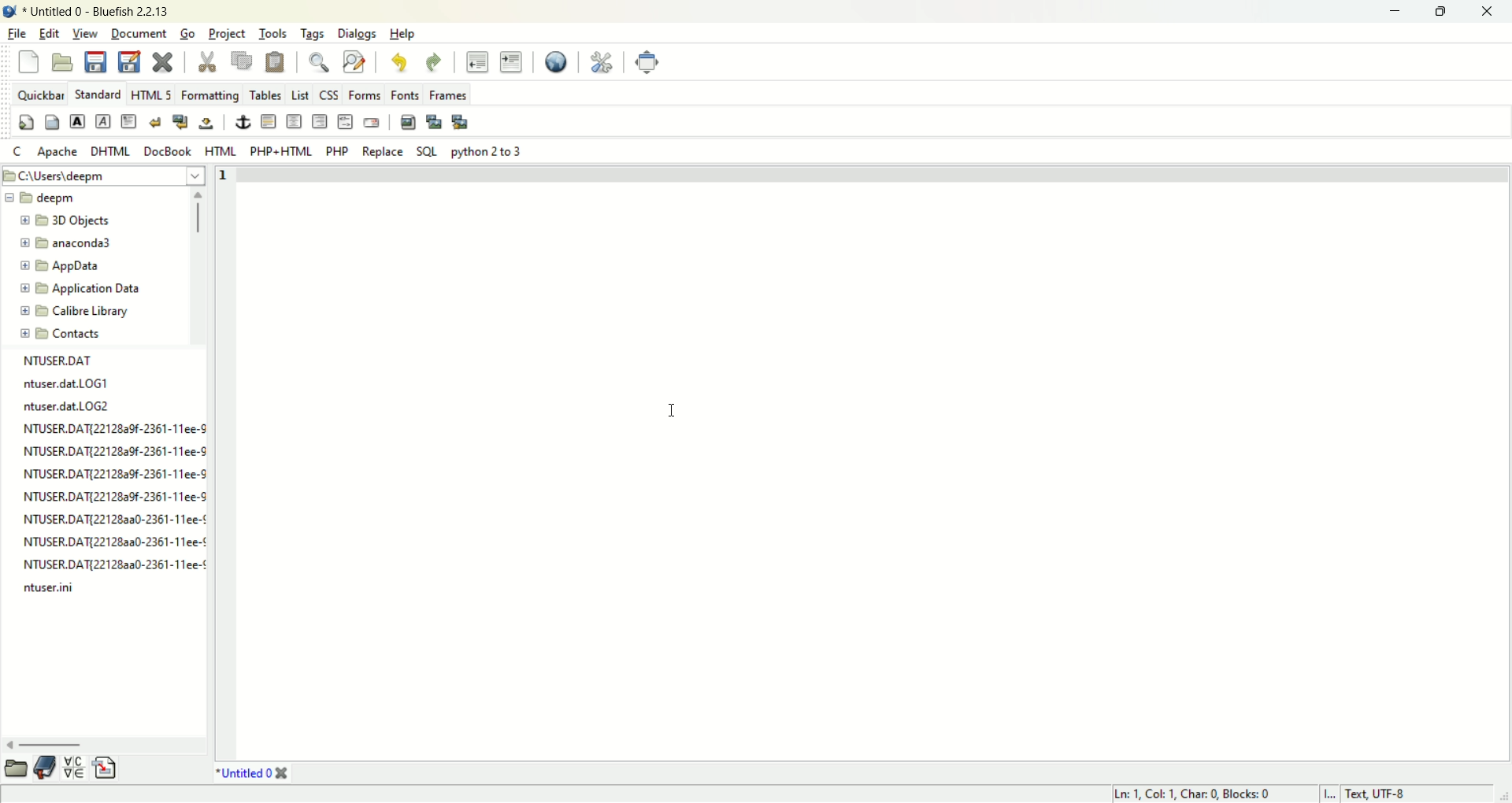  I want to click on copy, so click(243, 61).